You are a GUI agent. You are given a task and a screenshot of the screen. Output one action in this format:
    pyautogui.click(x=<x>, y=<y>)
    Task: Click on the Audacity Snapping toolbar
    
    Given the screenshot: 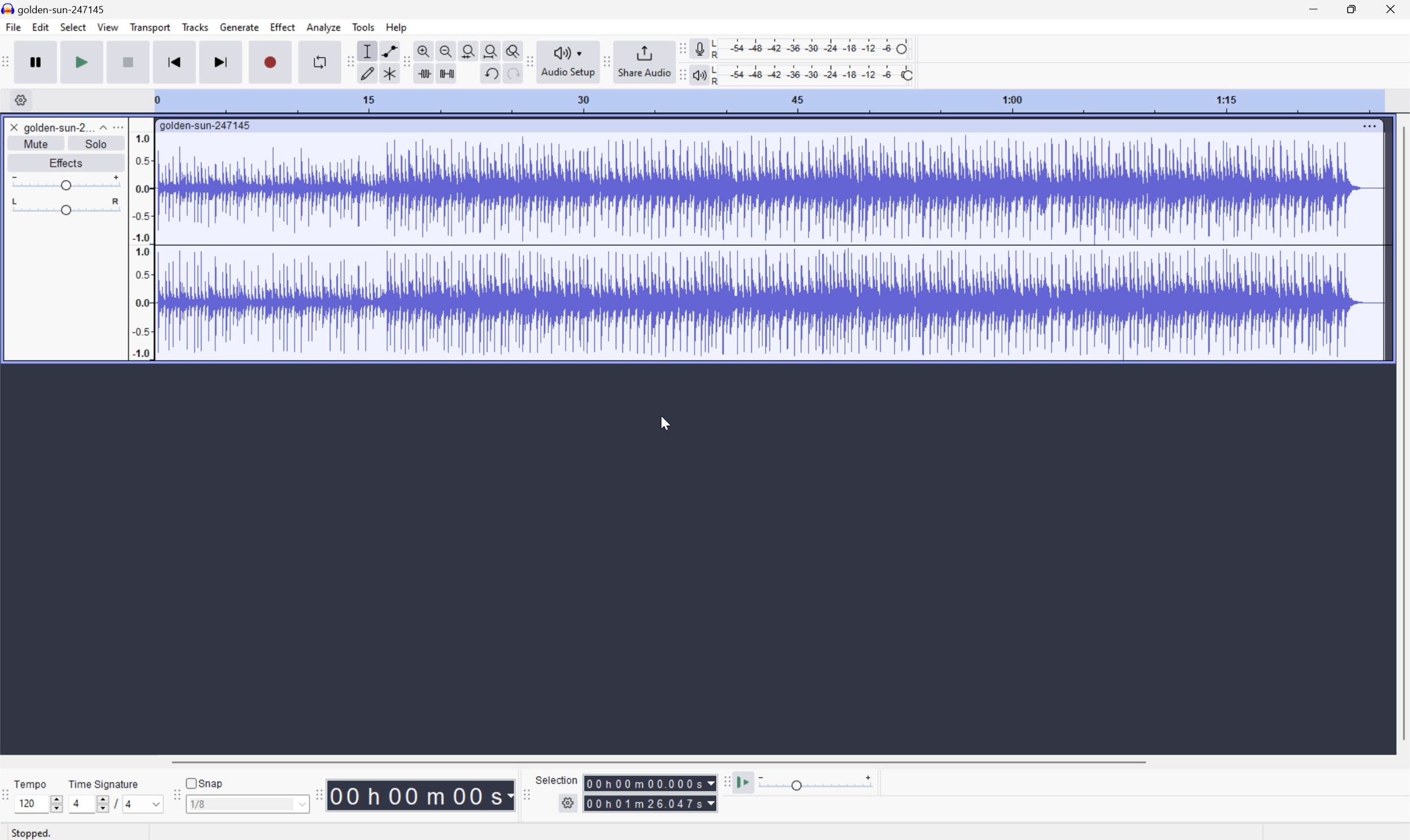 What is the action you would take?
    pyautogui.click(x=176, y=796)
    